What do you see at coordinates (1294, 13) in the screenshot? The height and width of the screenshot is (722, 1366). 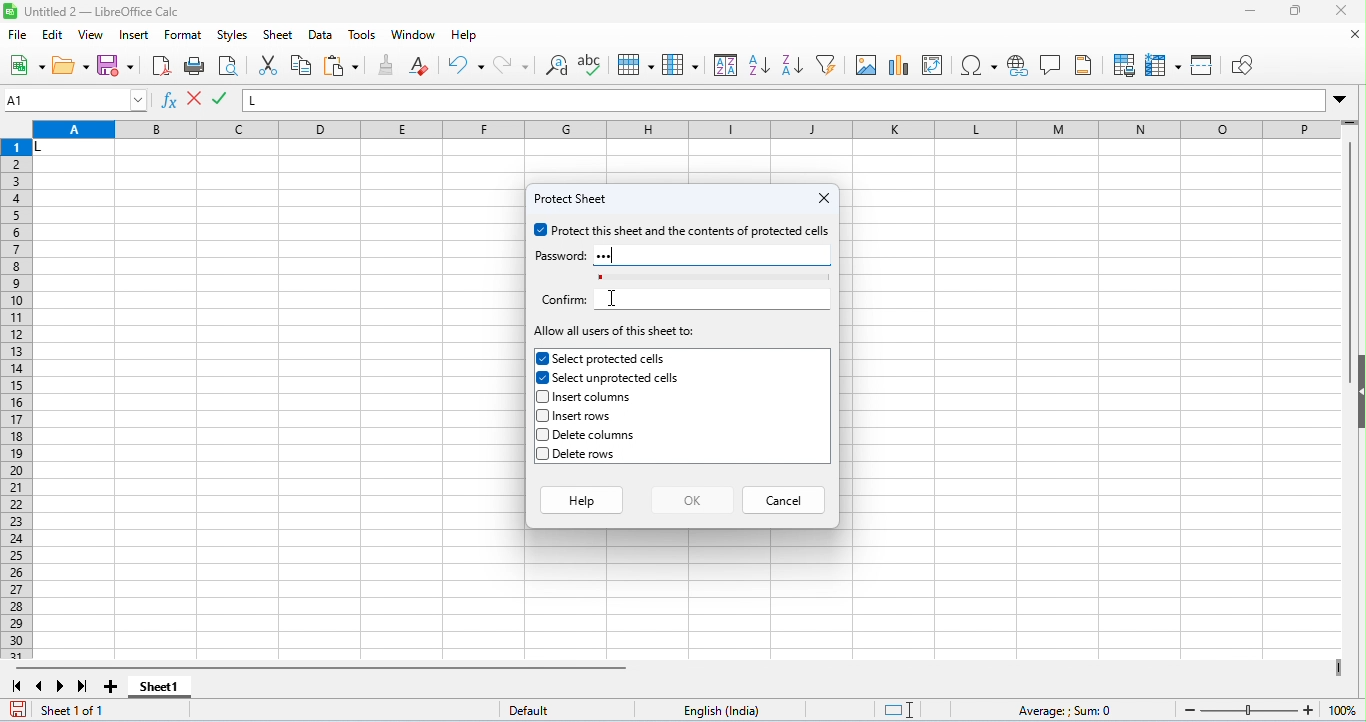 I see `maximize` at bounding box center [1294, 13].